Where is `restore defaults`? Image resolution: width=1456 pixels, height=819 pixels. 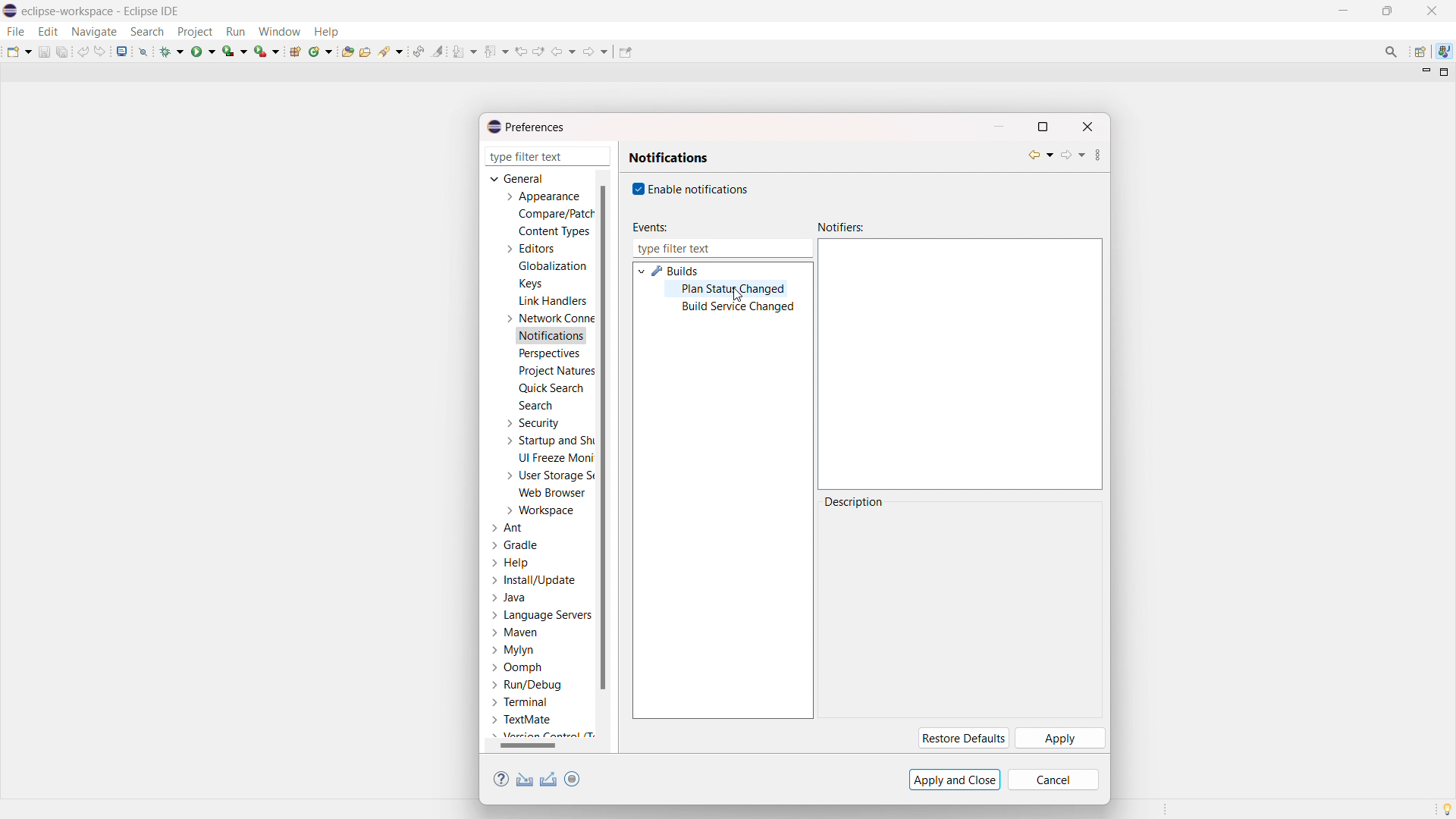 restore defaults is located at coordinates (962, 739).